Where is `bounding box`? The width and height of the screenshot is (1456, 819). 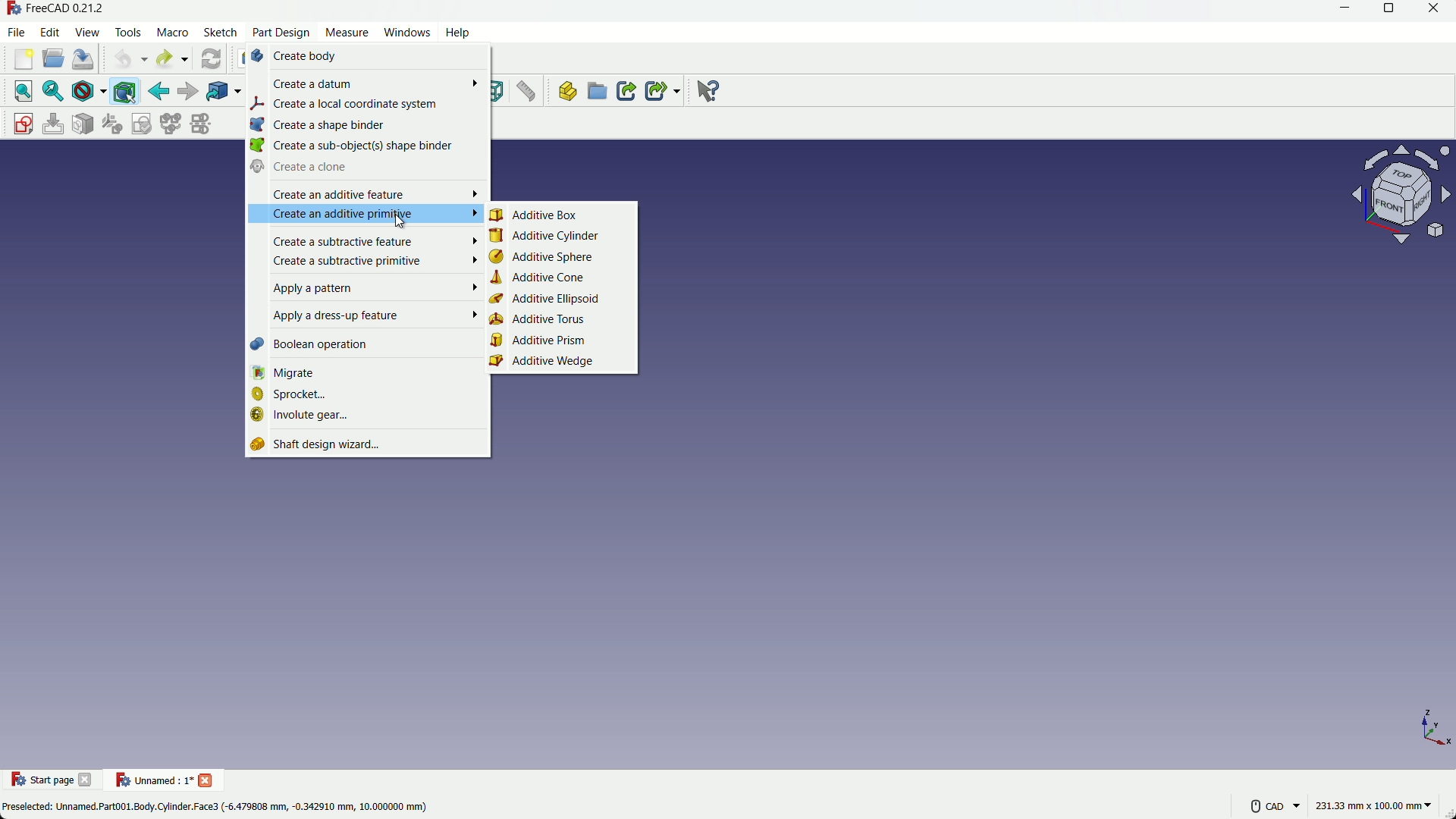
bounding box is located at coordinates (124, 93).